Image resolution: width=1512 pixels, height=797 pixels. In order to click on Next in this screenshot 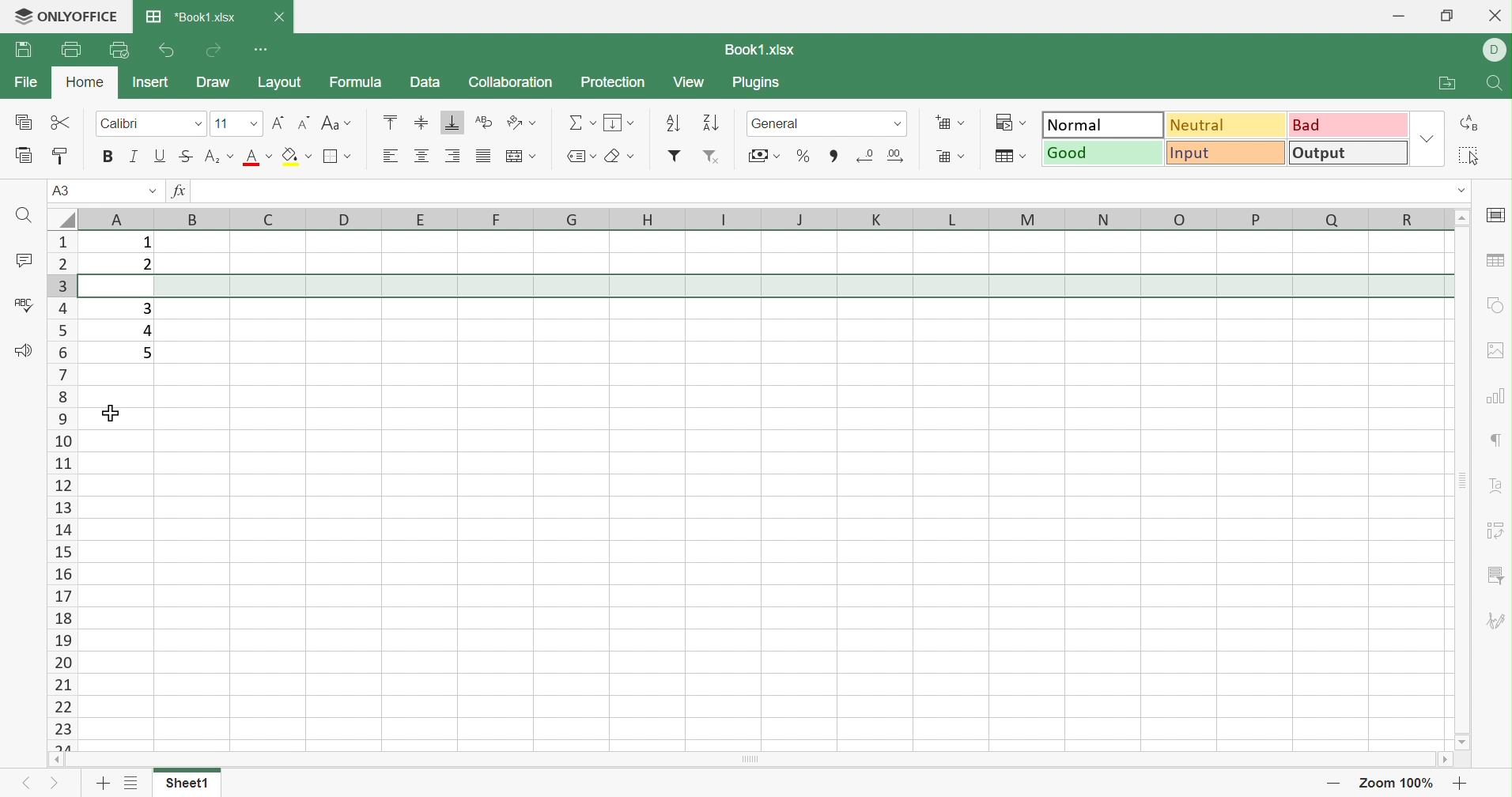, I will do `click(52, 784)`.